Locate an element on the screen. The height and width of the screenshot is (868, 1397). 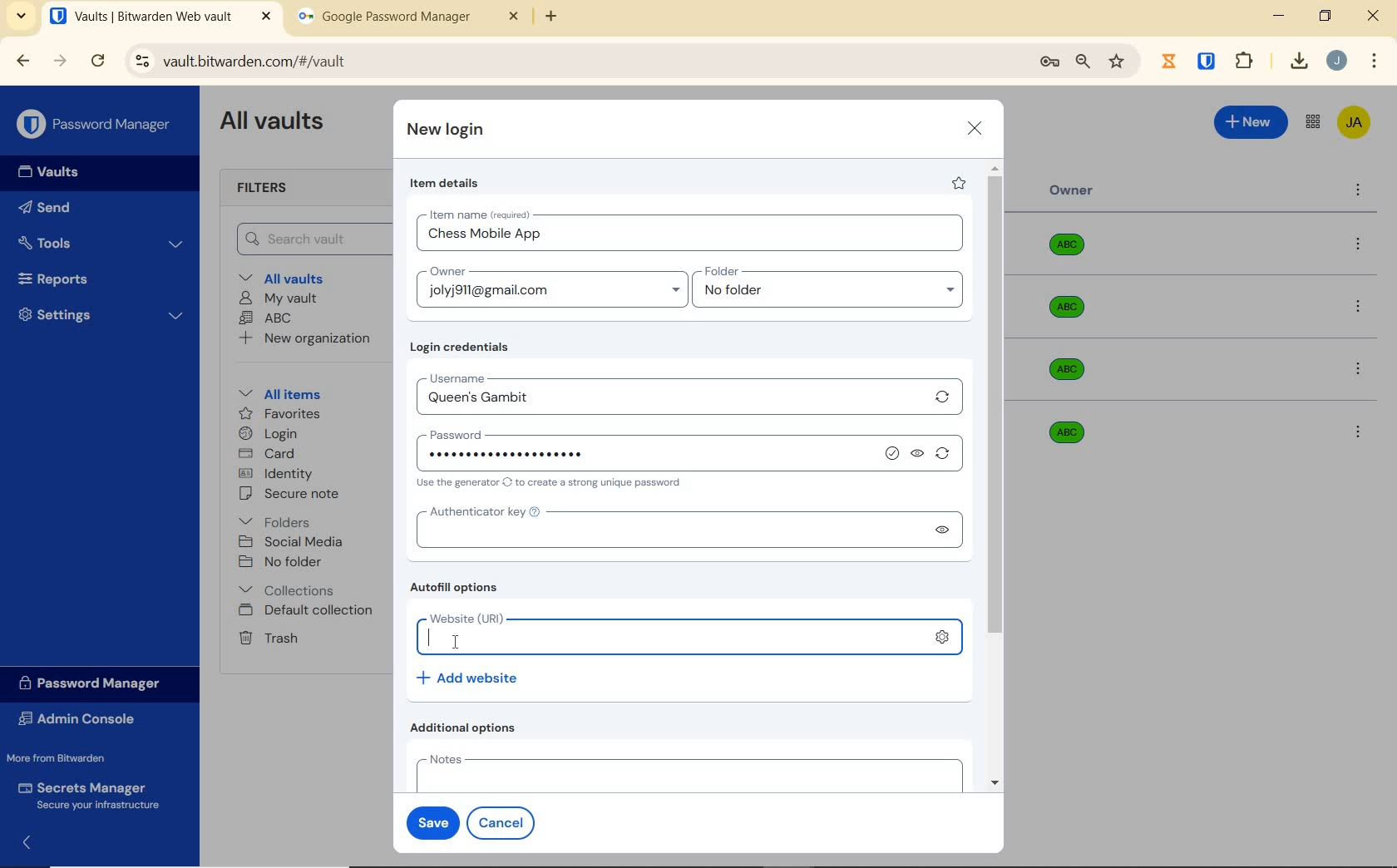
Website (URL) is located at coordinates (671, 634).